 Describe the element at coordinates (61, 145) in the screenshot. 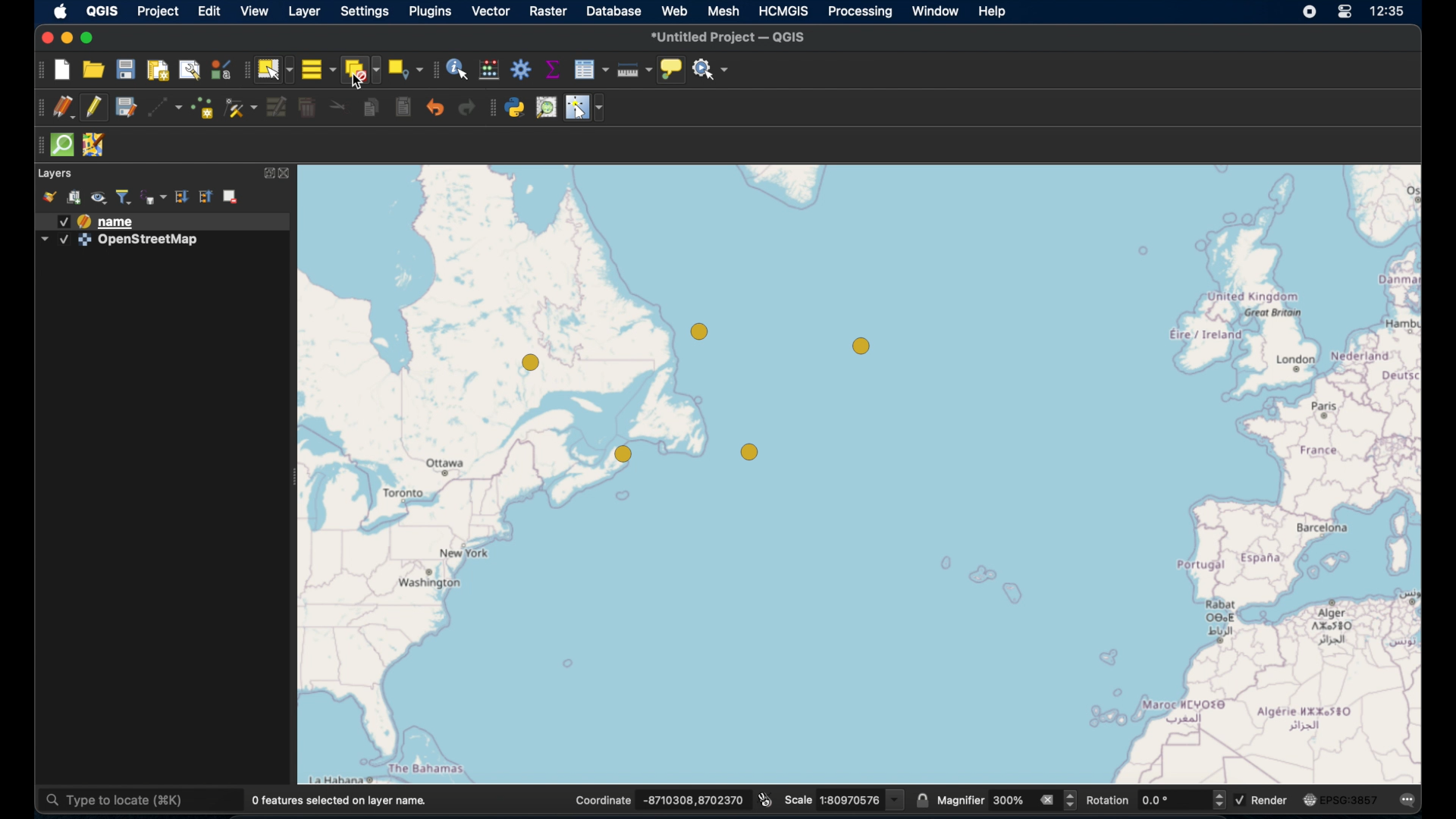

I see `quicksom` at that location.